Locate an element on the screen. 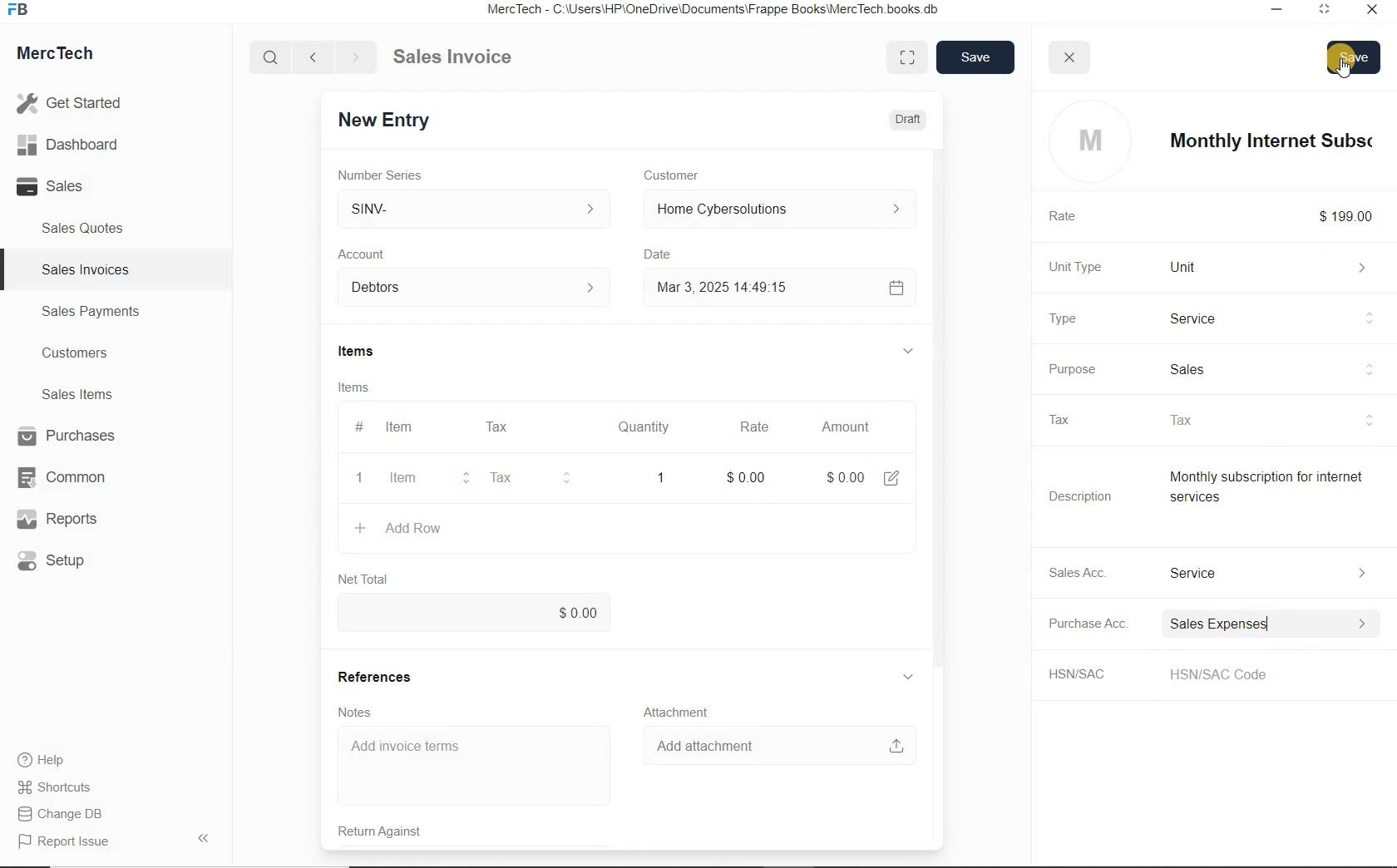 This screenshot has width=1397, height=868. Rate is located at coordinates (753, 427).